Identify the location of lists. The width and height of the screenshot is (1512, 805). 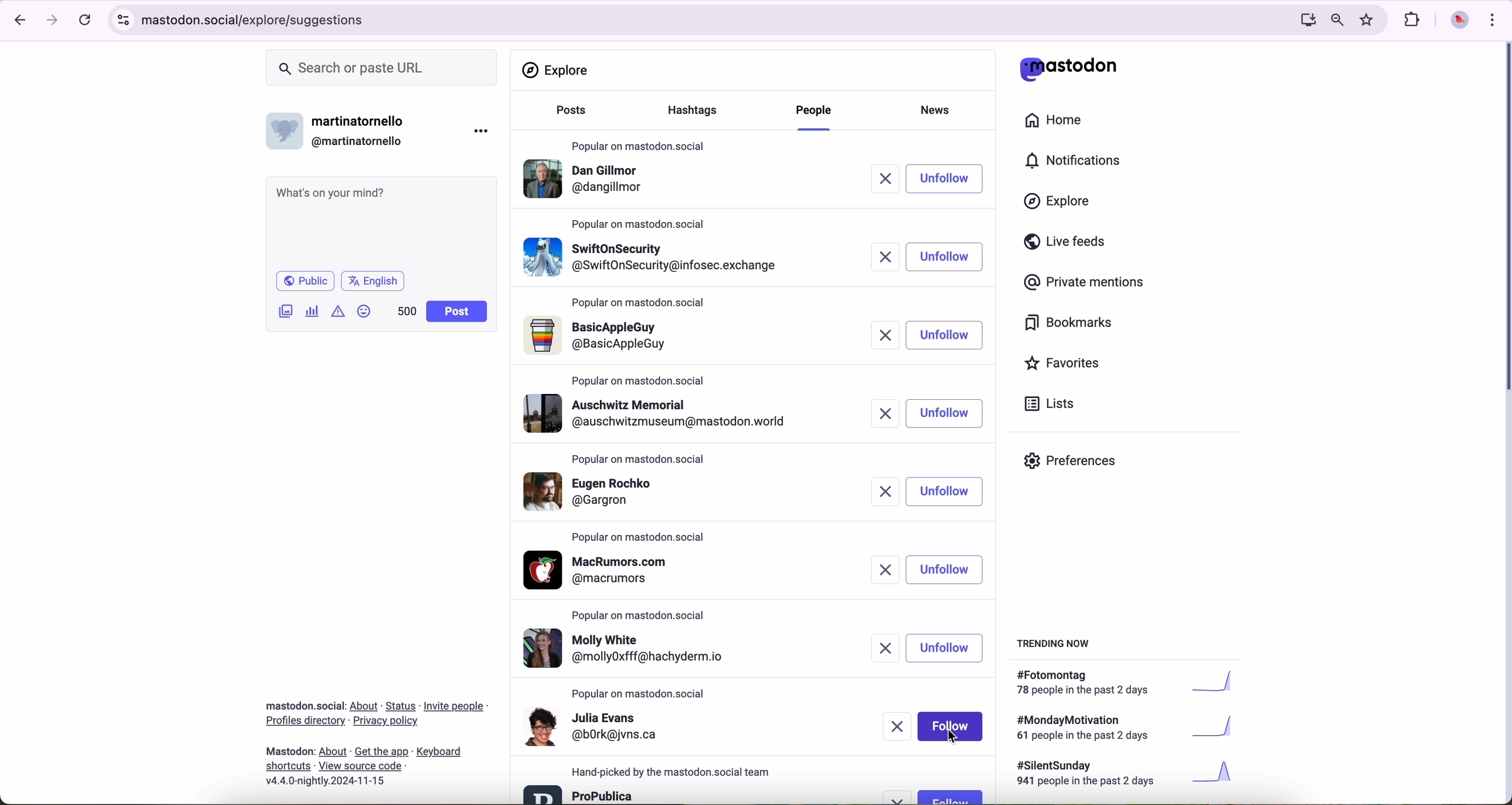
(1045, 403).